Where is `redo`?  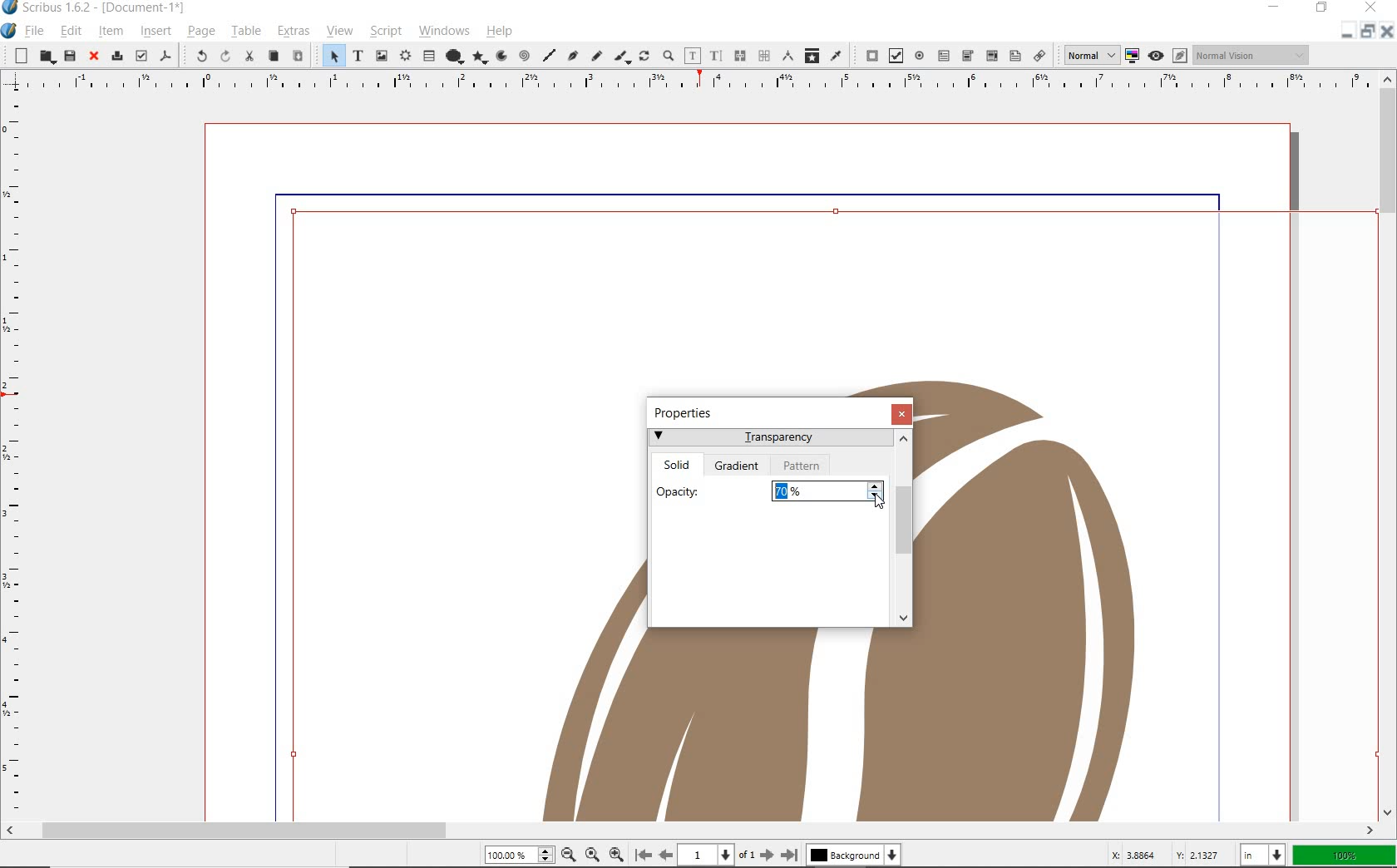
redo is located at coordinates (225, 56).